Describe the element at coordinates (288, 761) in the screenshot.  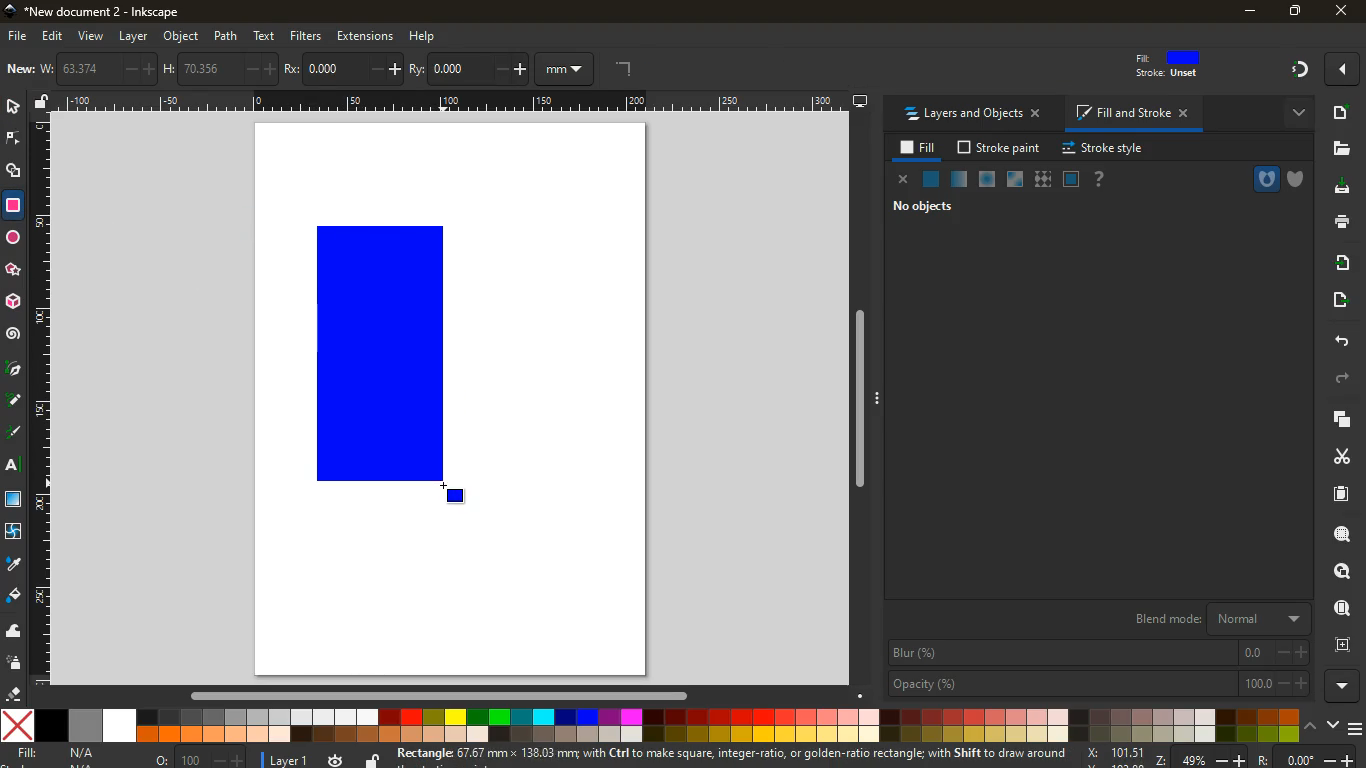
I see `layer 1` at that location.